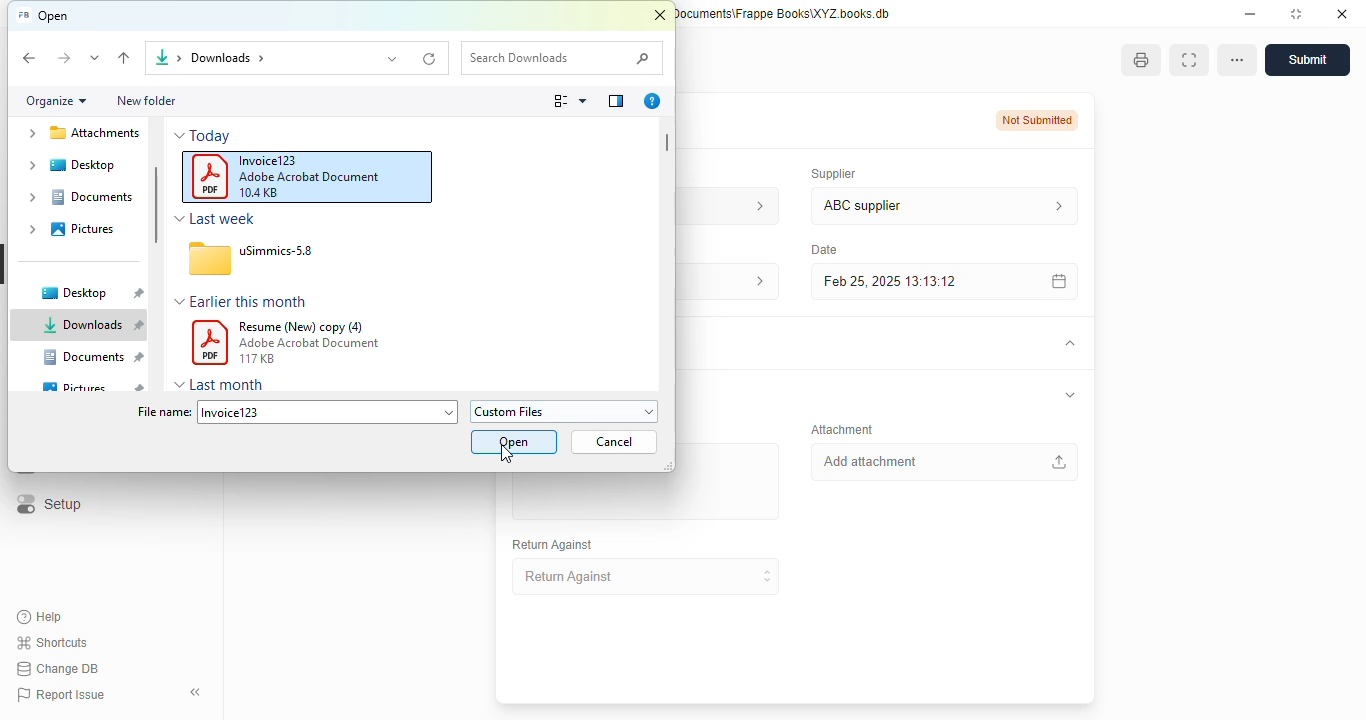  Describe the element at coordinates (224, 58) in the screenshot. I see `> downloads > ` at that location.